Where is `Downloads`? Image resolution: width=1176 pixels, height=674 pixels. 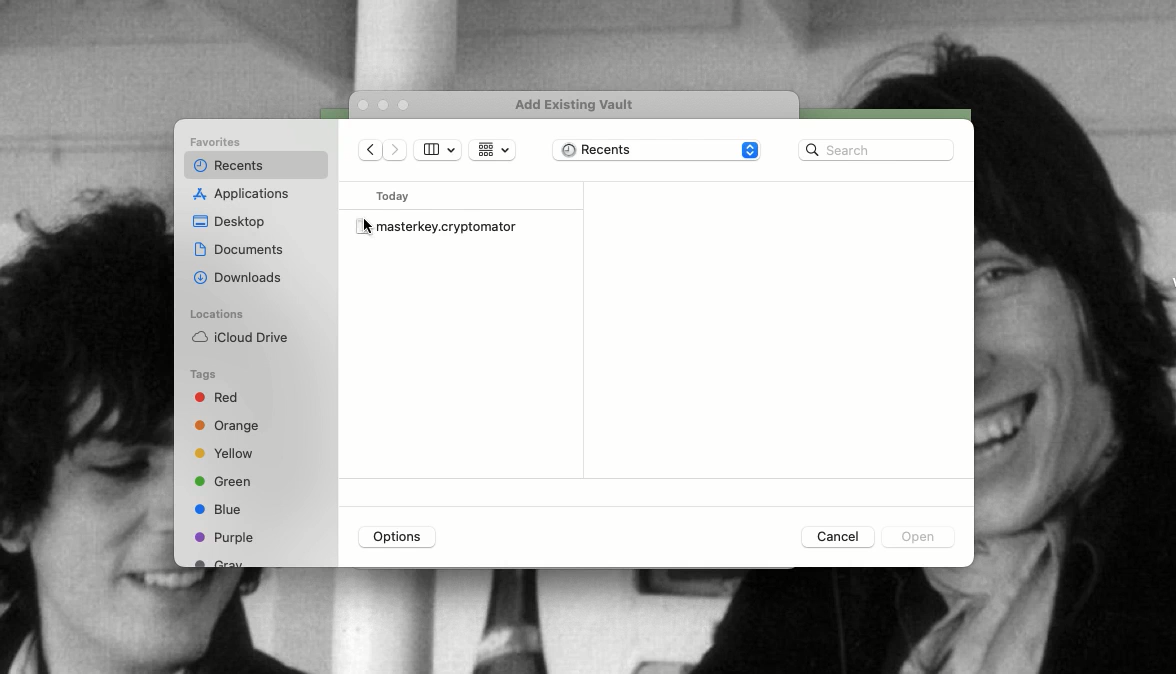 Downloads is located at coordinates (240, 276).